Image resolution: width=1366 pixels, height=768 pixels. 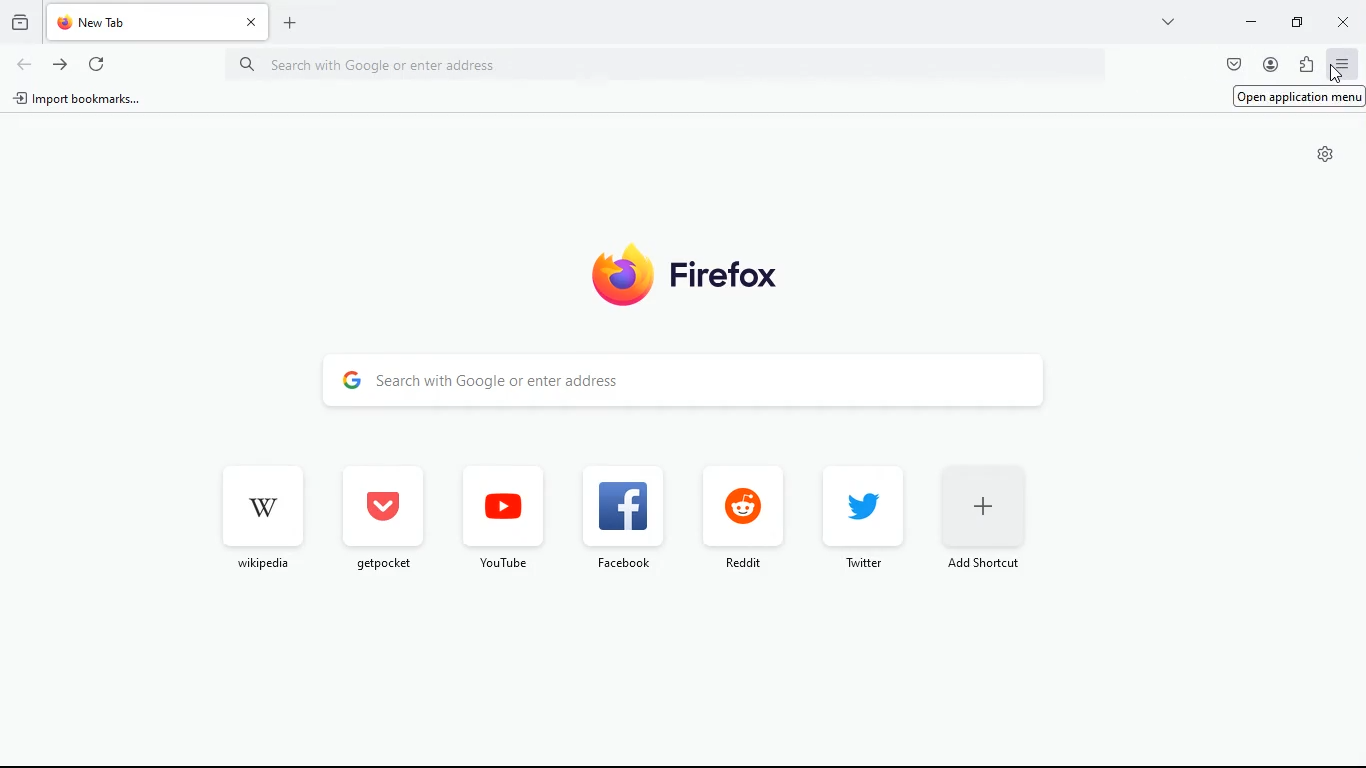 I want to click on youtube, so click(x=499, y=526).